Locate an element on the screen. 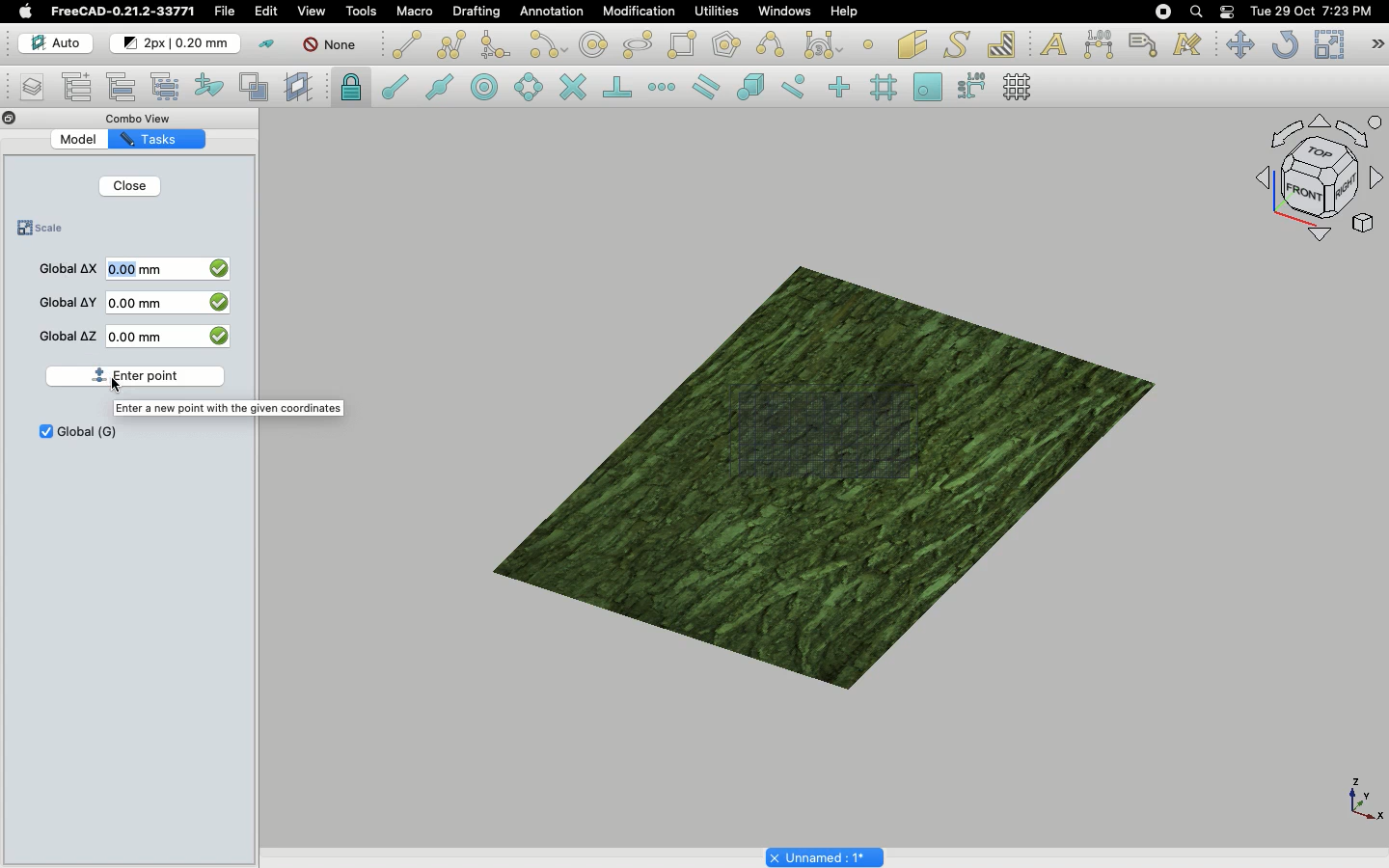  Toggle construction mode is located at coordinates (265, 43).